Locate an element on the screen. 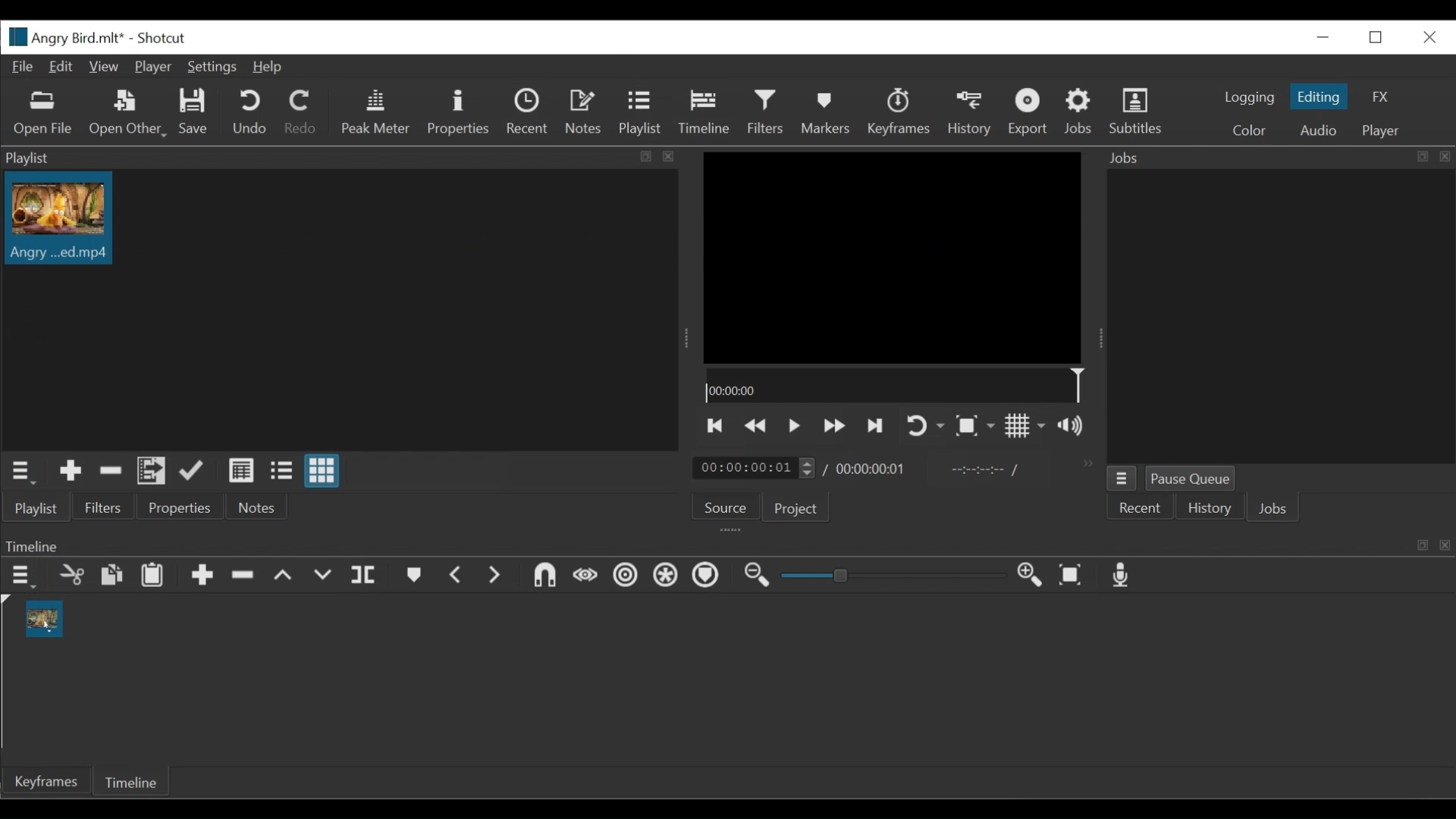  Open Other is located at coordinates (128, 114).